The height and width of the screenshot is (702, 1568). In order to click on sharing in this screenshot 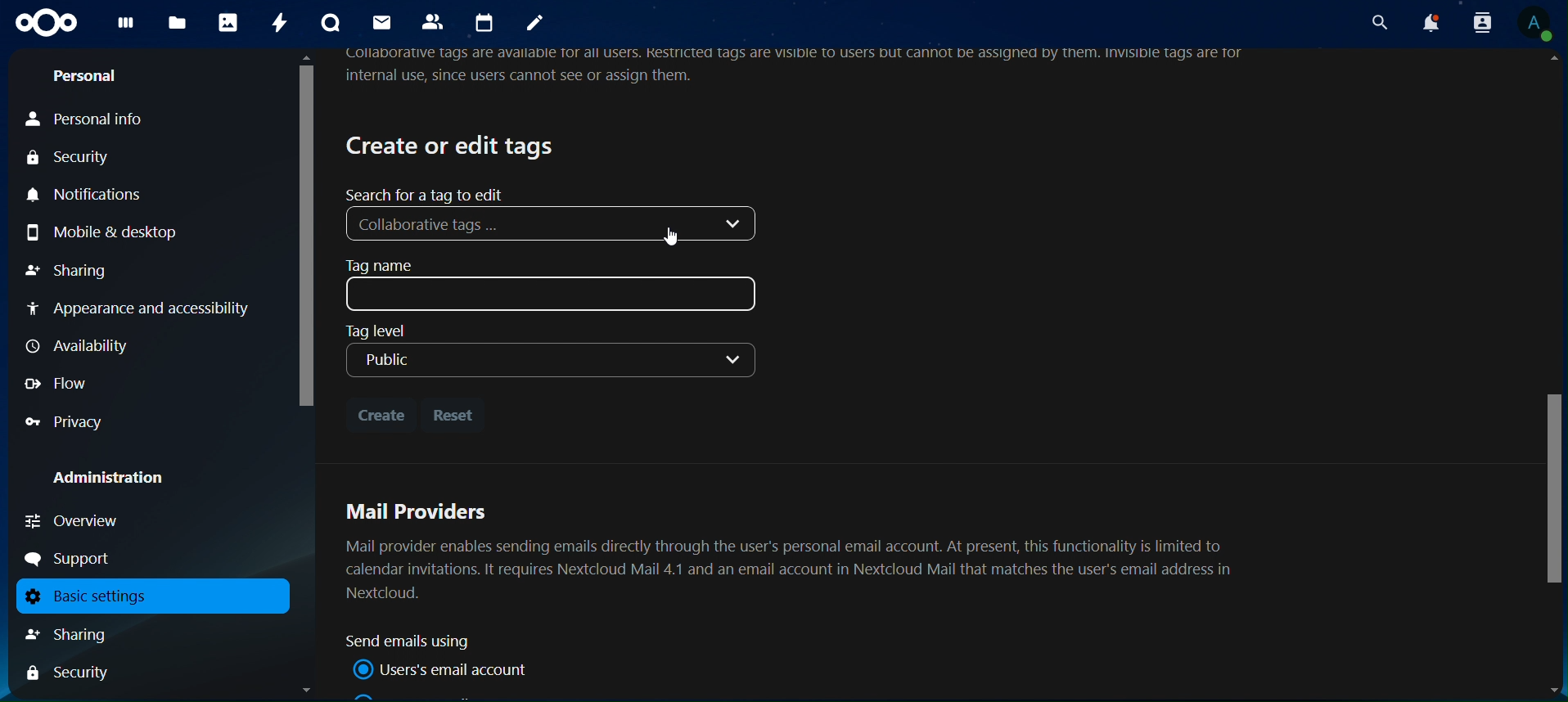, I will do `click(85, 634)`.